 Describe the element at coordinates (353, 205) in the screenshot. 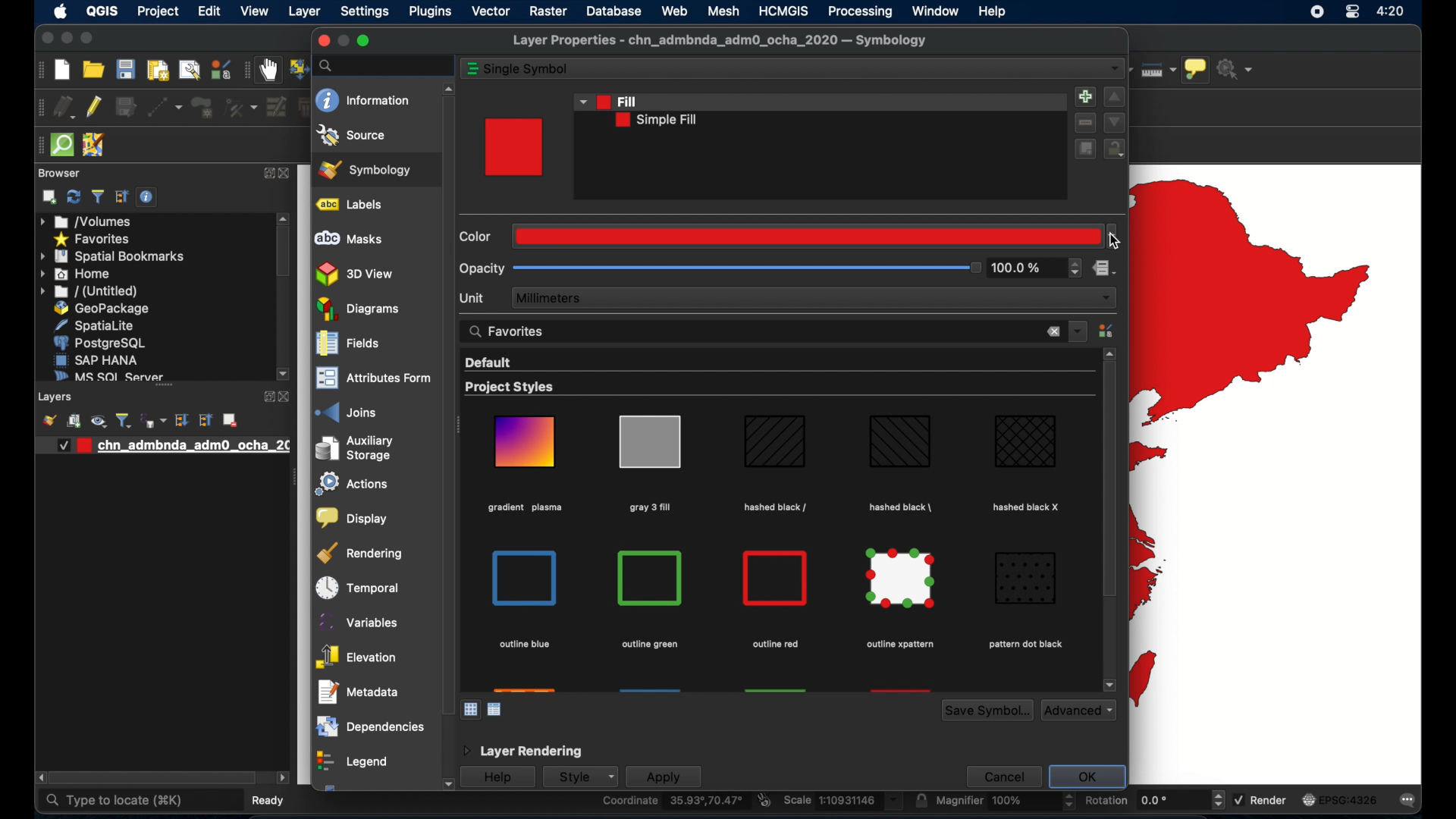

I see `labels` at that location.